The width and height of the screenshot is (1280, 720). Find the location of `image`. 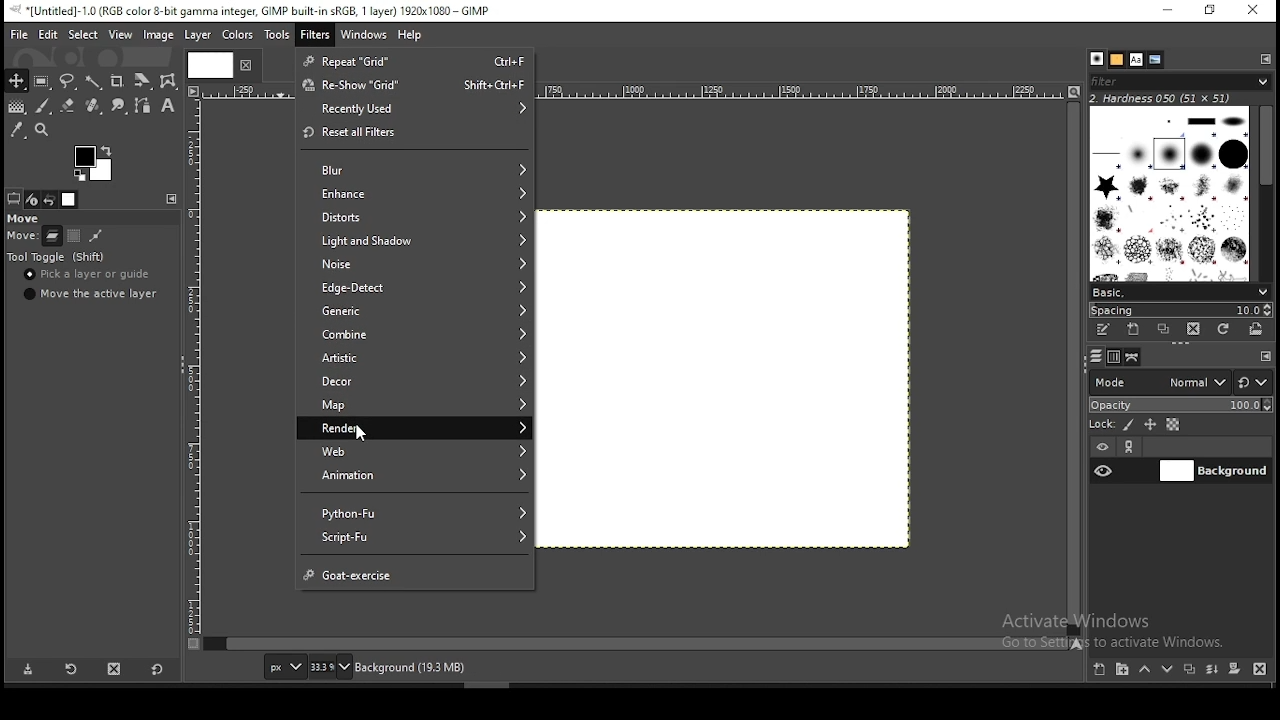

image is located at coordinates (158, 35).